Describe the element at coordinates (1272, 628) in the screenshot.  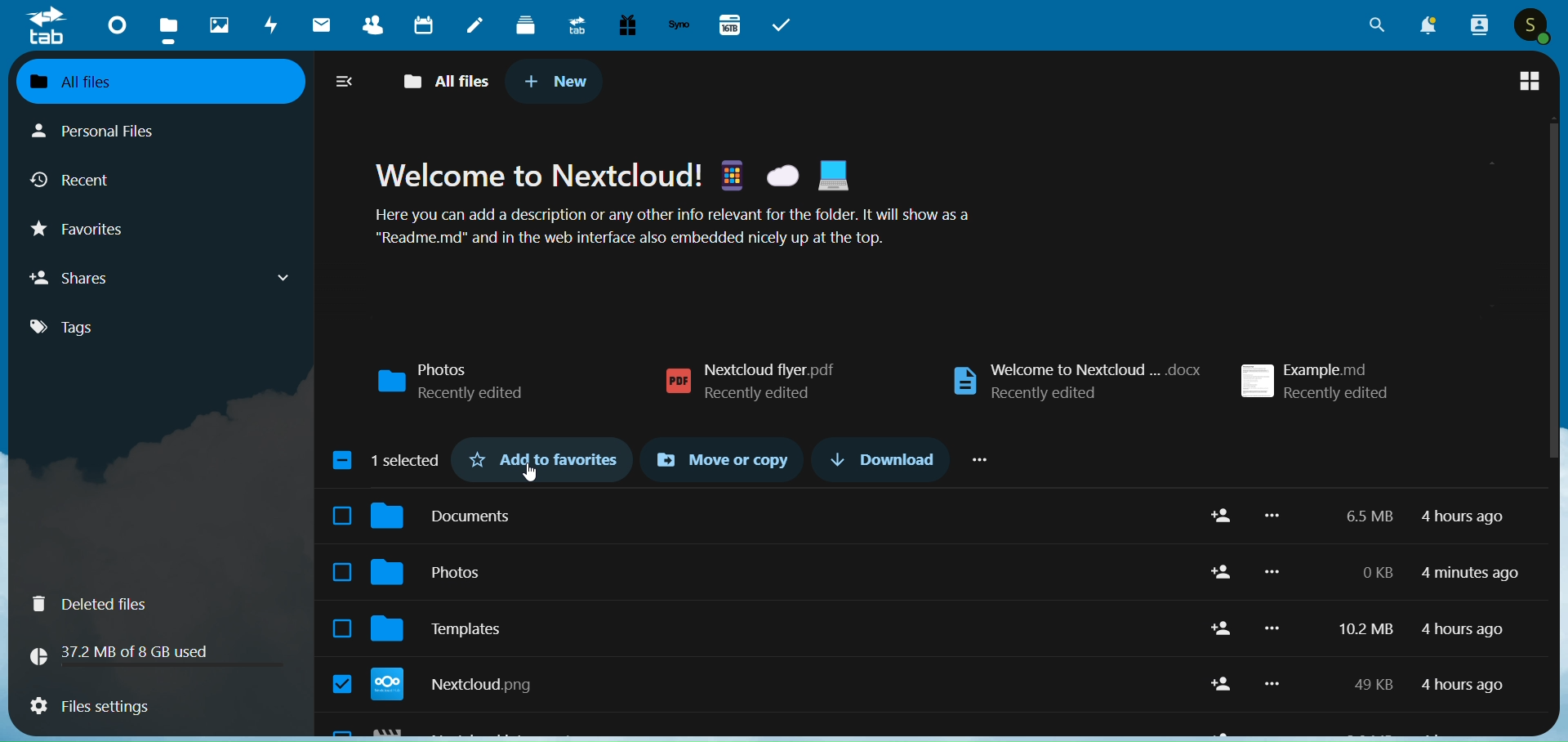
I see `More` at that location.